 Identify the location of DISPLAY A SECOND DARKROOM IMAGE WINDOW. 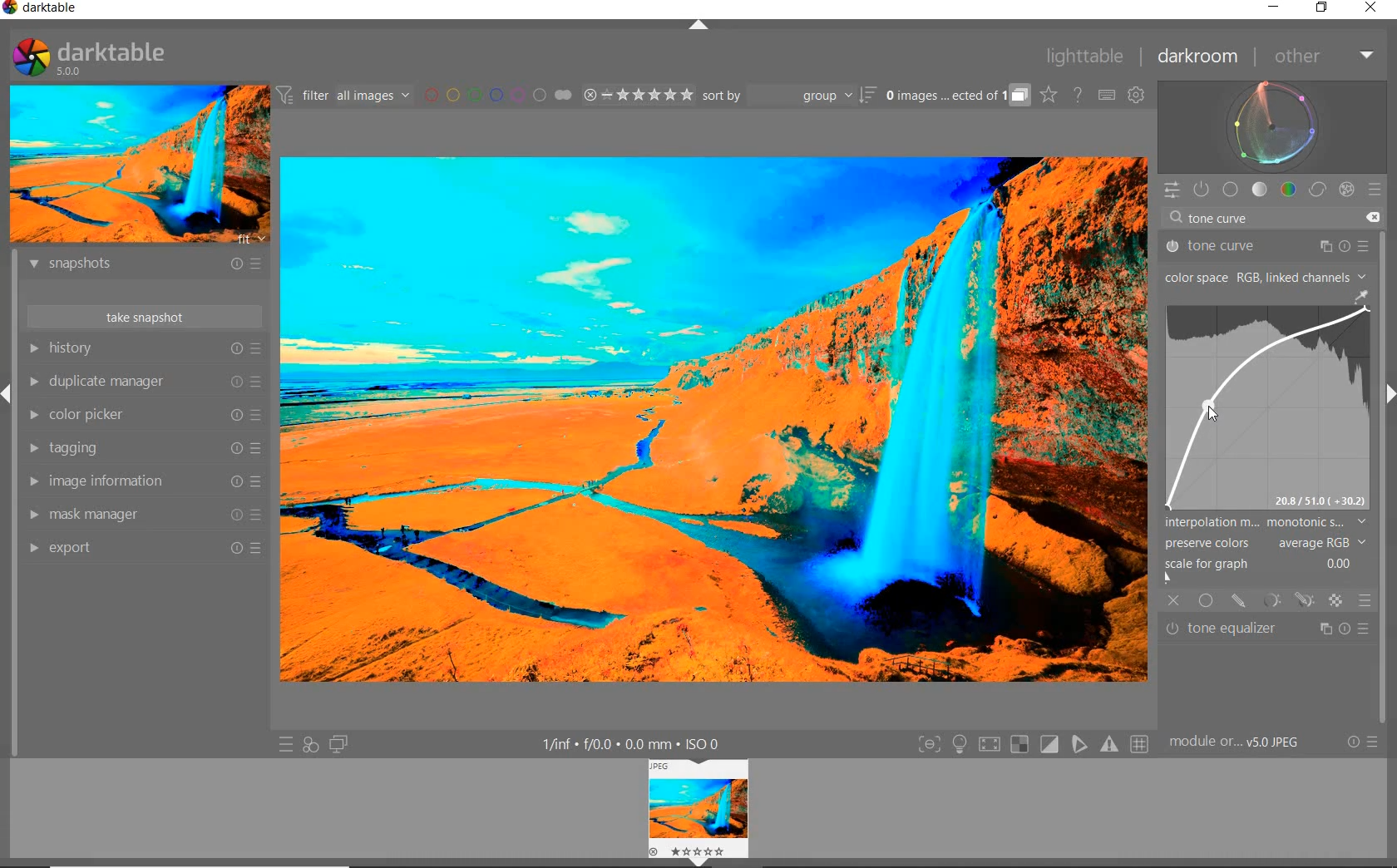
(339, 744).